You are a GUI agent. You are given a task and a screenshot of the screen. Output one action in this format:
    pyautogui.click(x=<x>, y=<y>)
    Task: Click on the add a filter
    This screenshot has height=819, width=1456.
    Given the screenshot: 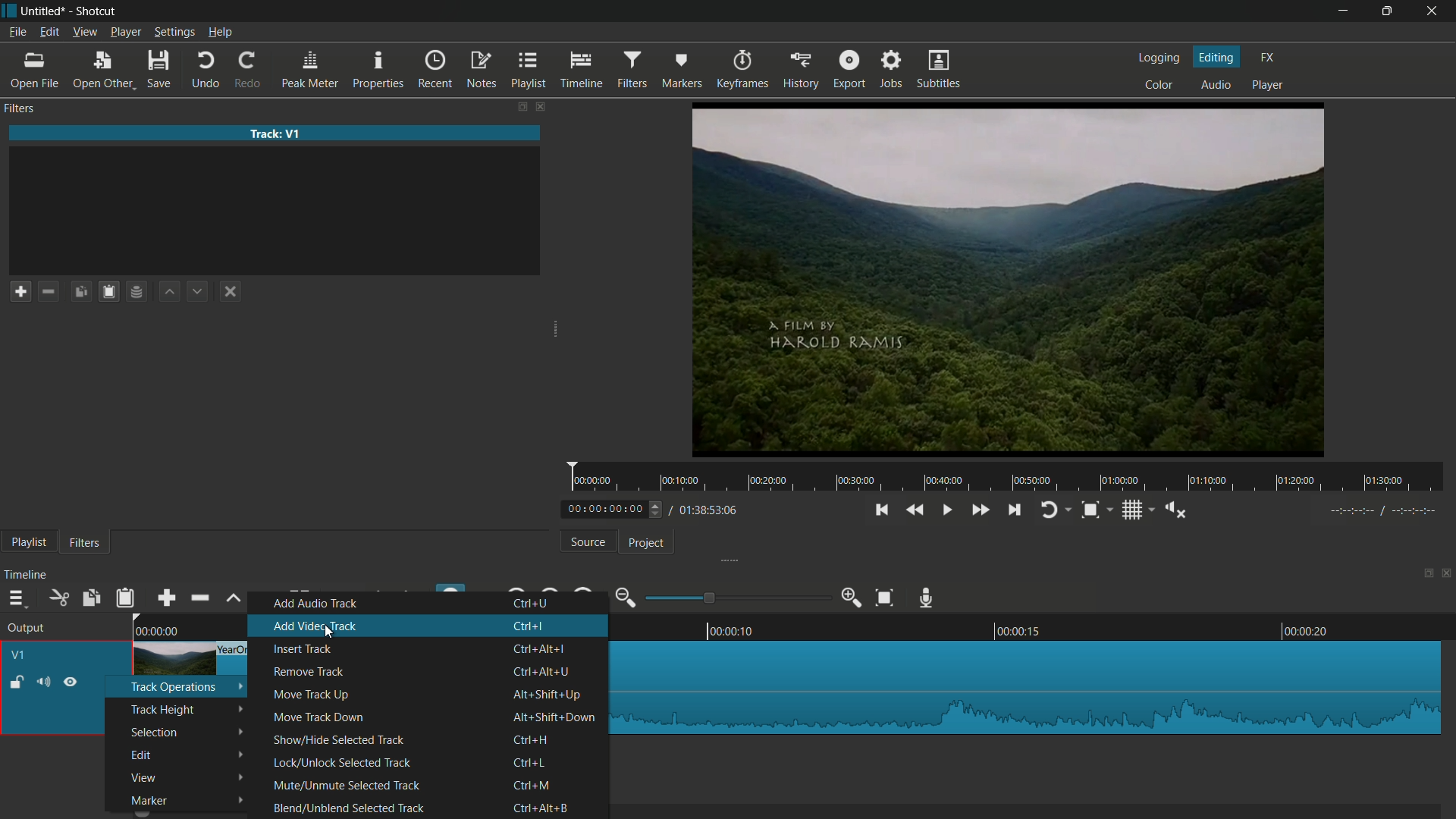 What is the action you would take?
    pyautogui.click(x=20, y=291)
    